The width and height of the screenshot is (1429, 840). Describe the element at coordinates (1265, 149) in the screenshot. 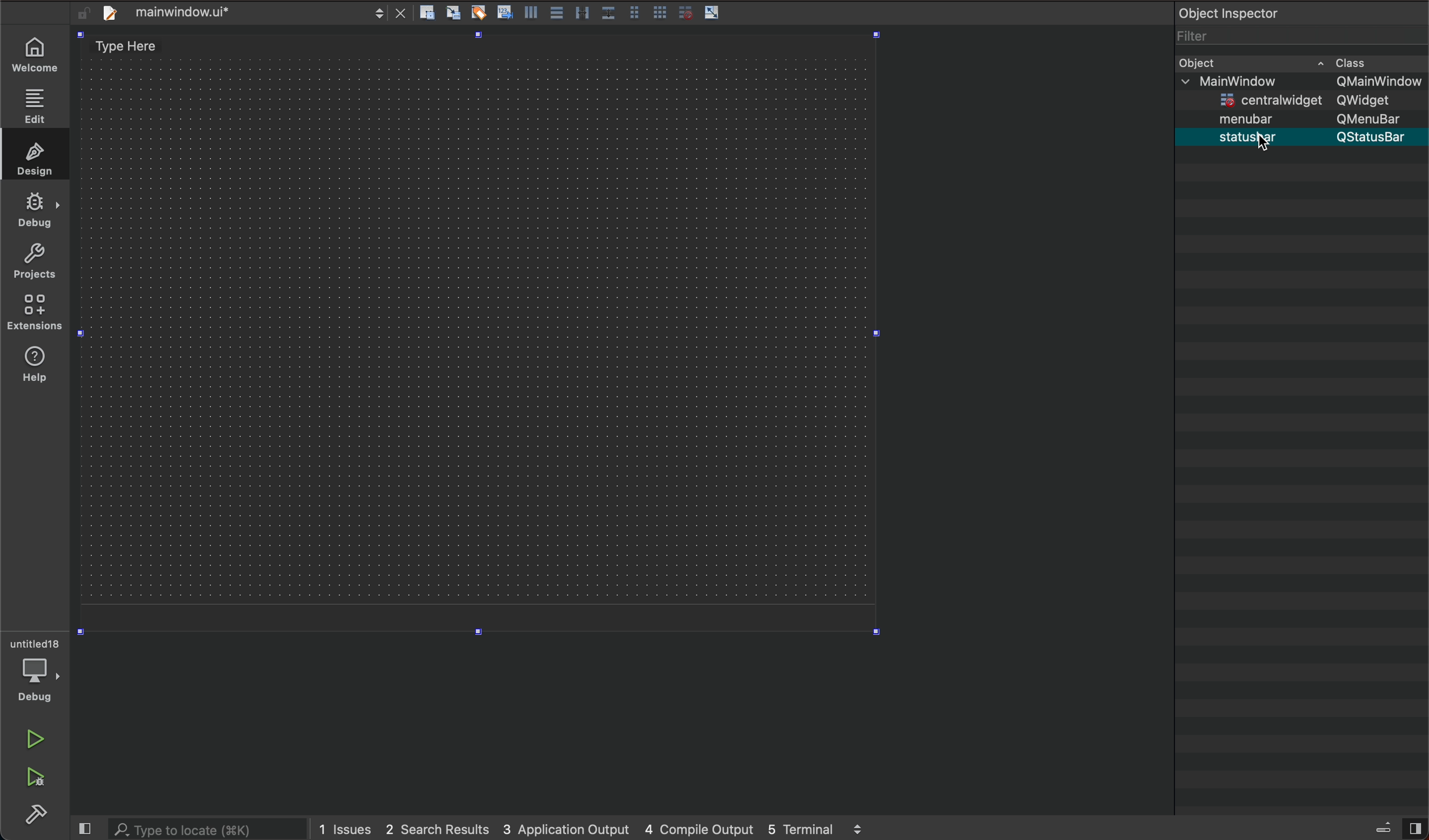

I see `cursor` at that location.